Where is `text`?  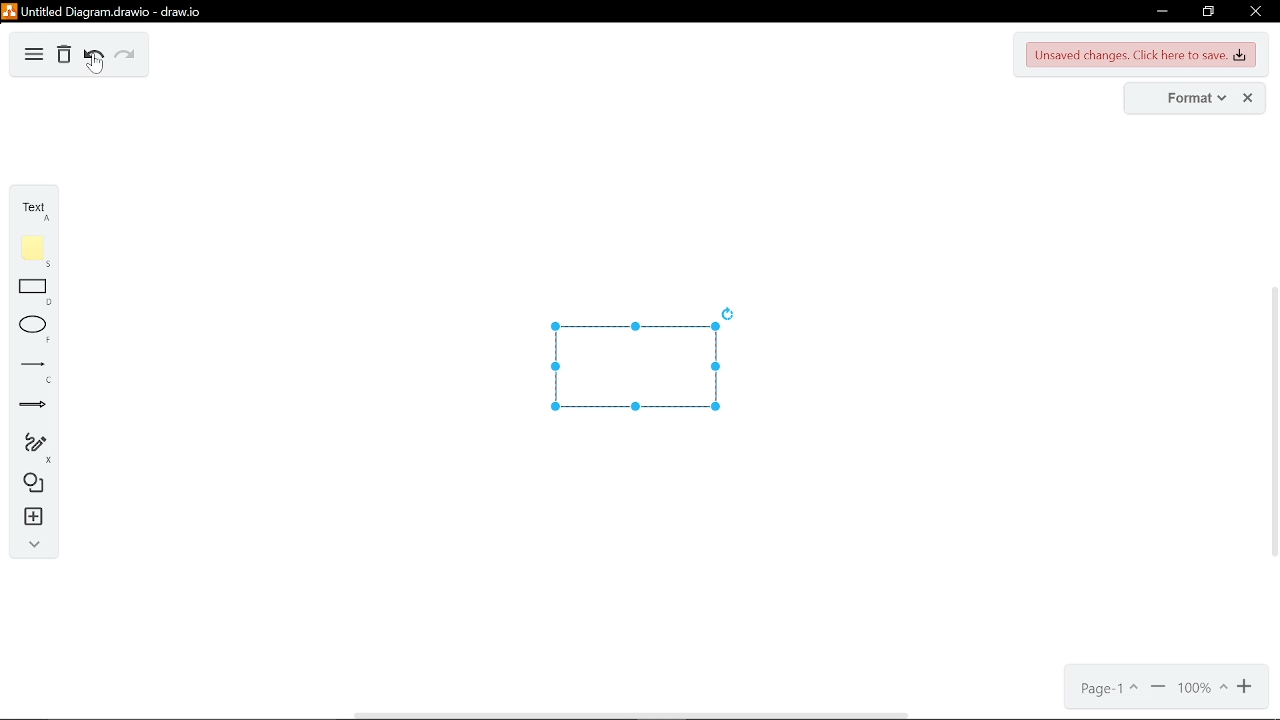 text is located at coordinates (37, 212).